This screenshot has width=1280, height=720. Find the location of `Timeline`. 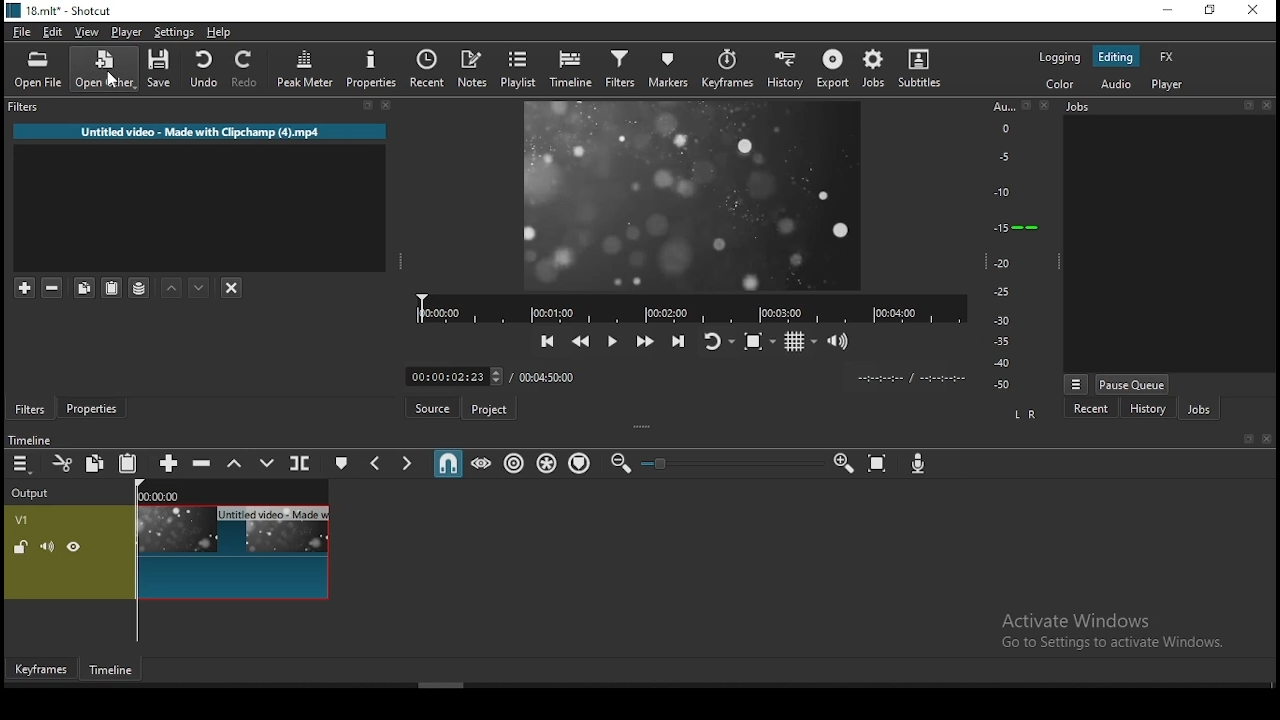

Timeline is located at coordinates (51, 436).